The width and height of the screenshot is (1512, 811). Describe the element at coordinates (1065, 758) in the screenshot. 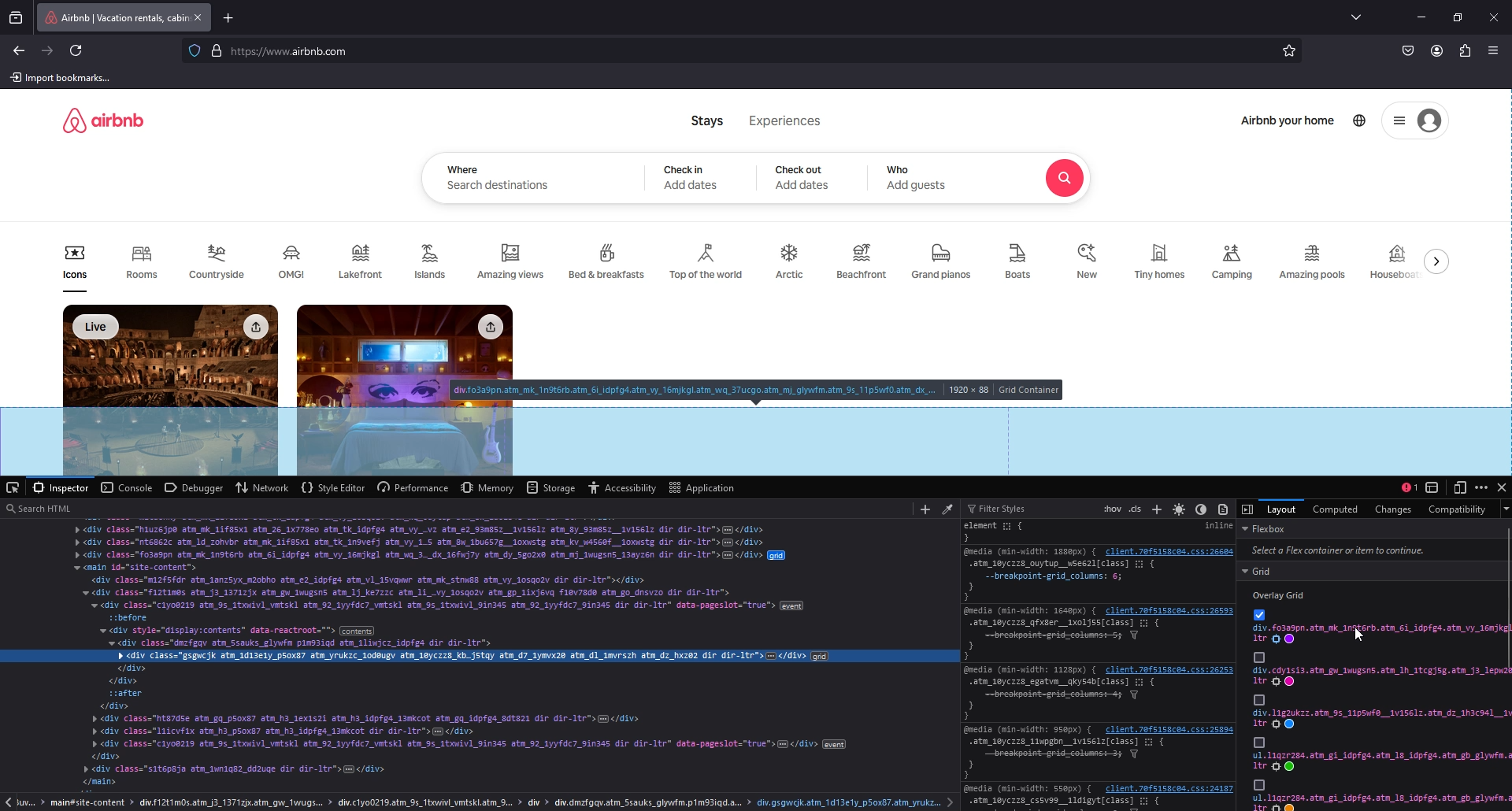

I see `elements` at that location.